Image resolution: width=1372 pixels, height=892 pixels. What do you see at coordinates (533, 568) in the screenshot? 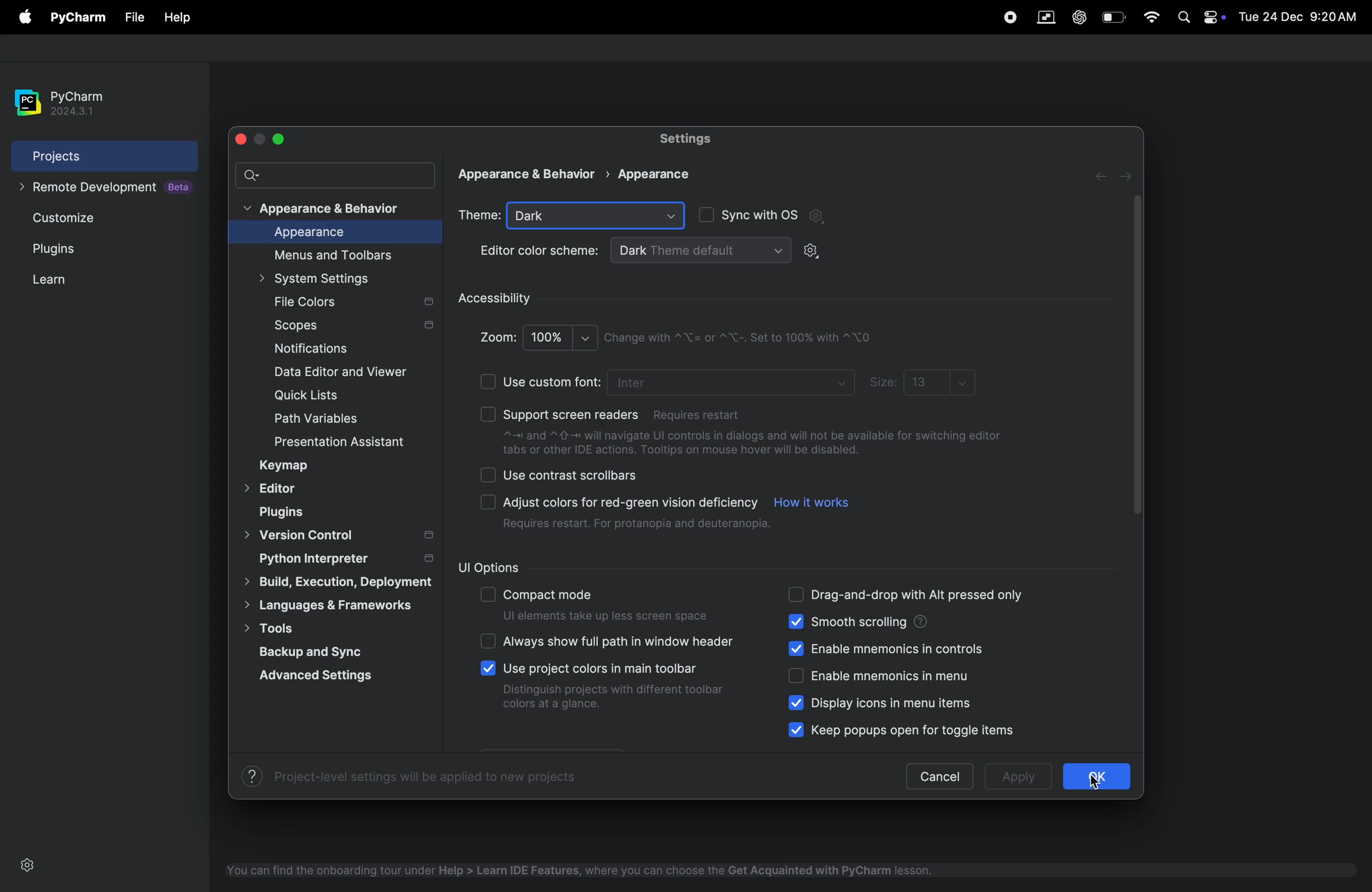
I see `Ui options` at bounding box center [533, 568].